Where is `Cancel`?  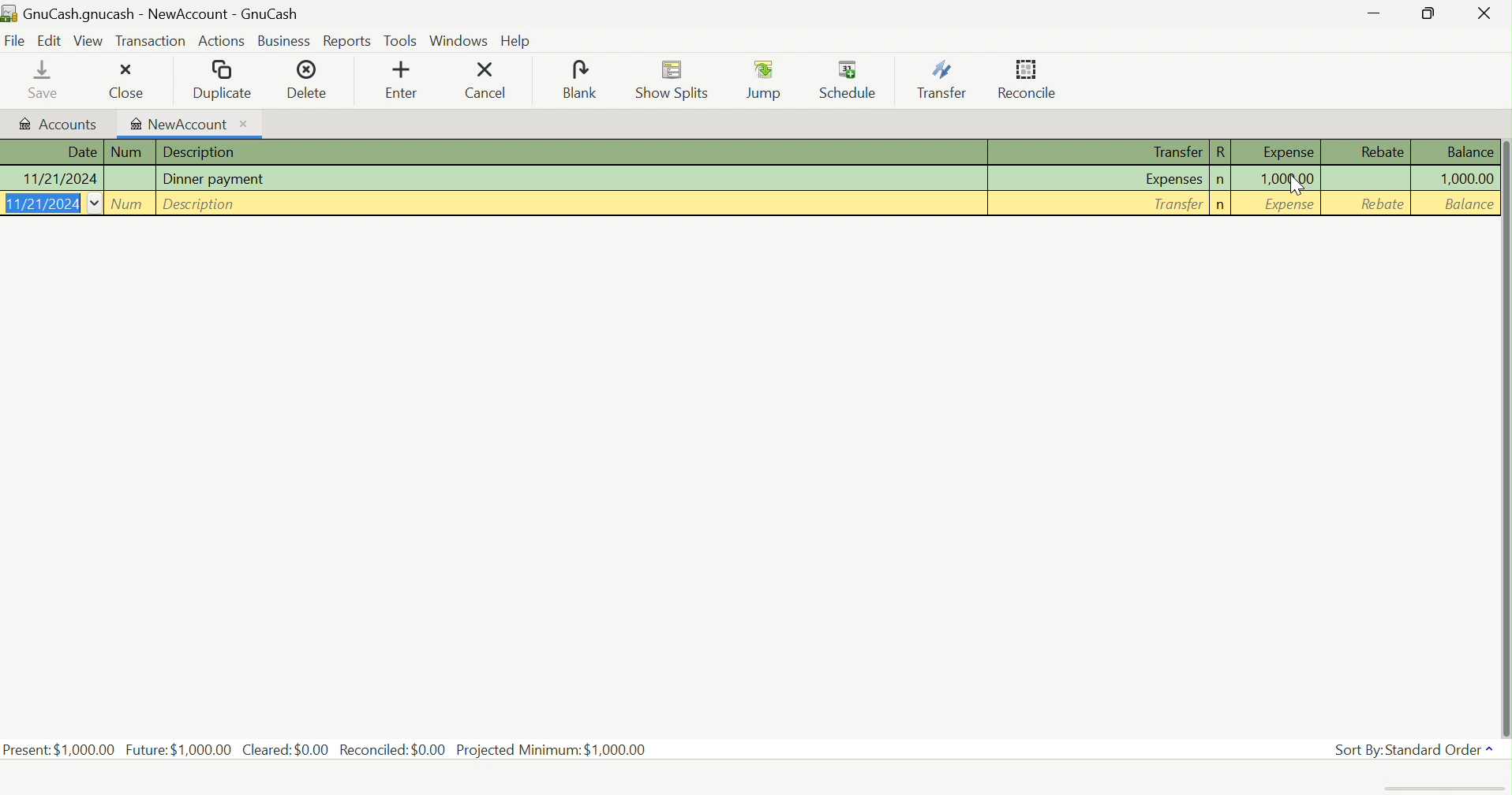 Cancel is located at coordinates (490, 80).